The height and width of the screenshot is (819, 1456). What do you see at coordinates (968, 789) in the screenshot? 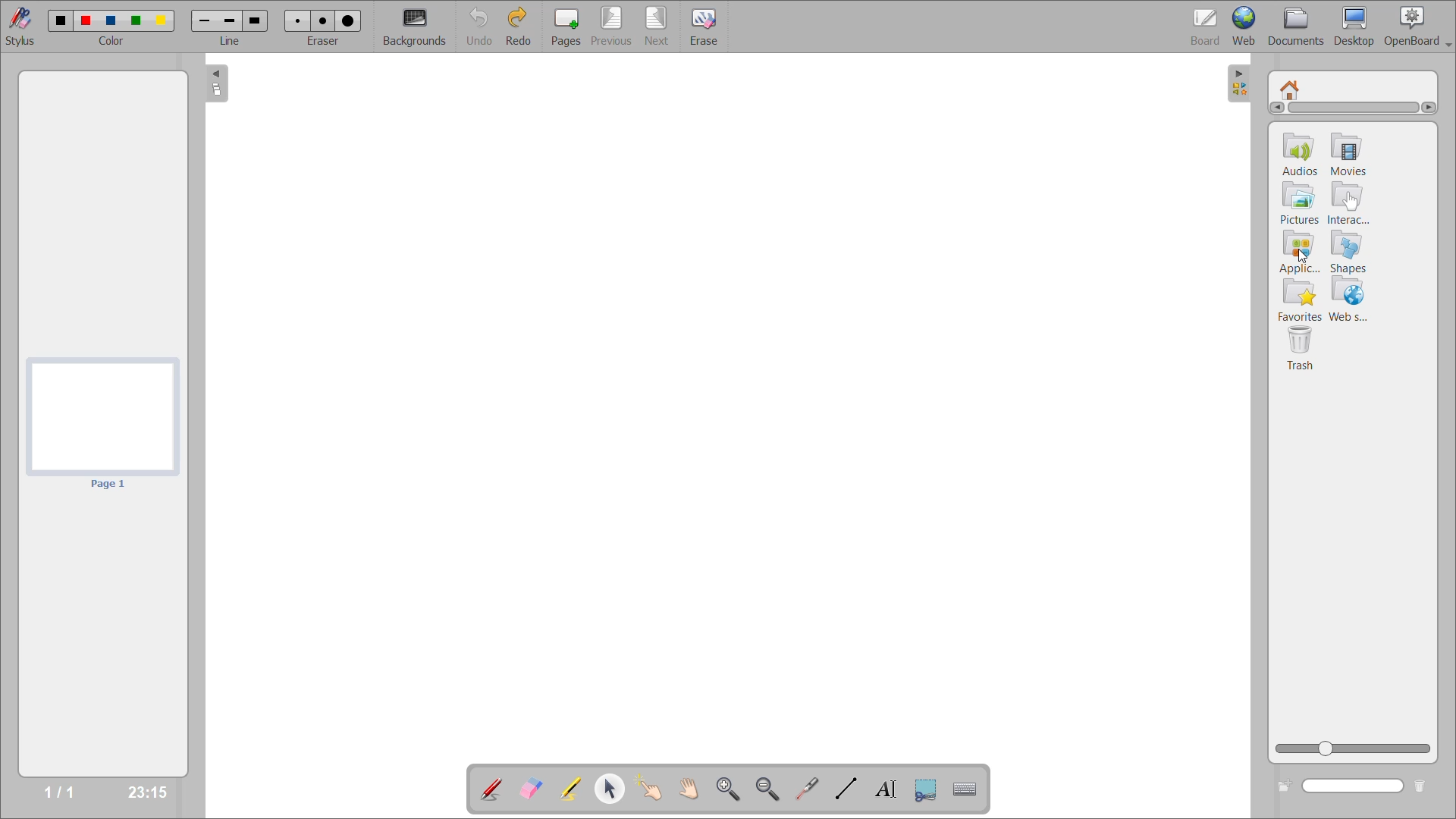
I see `display virtual keyboard` at bounding box center [968, 789].